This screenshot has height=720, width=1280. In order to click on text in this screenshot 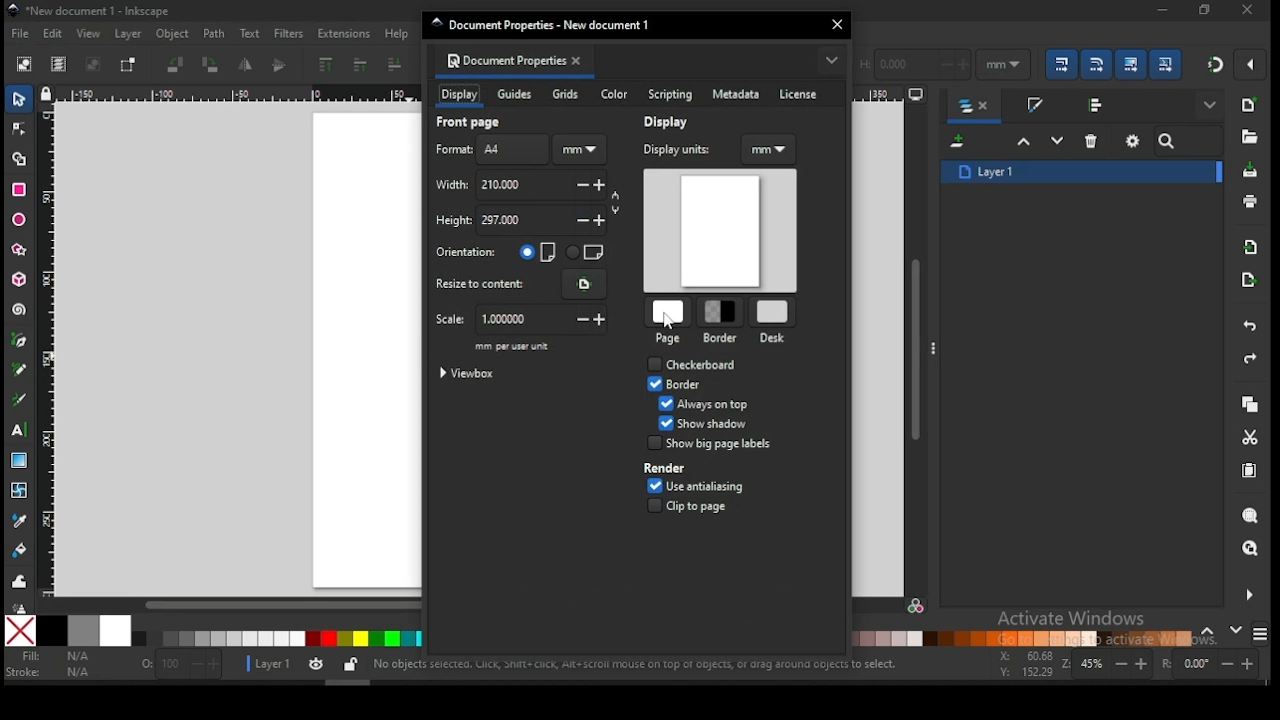, I will do `click(249, 33)`.